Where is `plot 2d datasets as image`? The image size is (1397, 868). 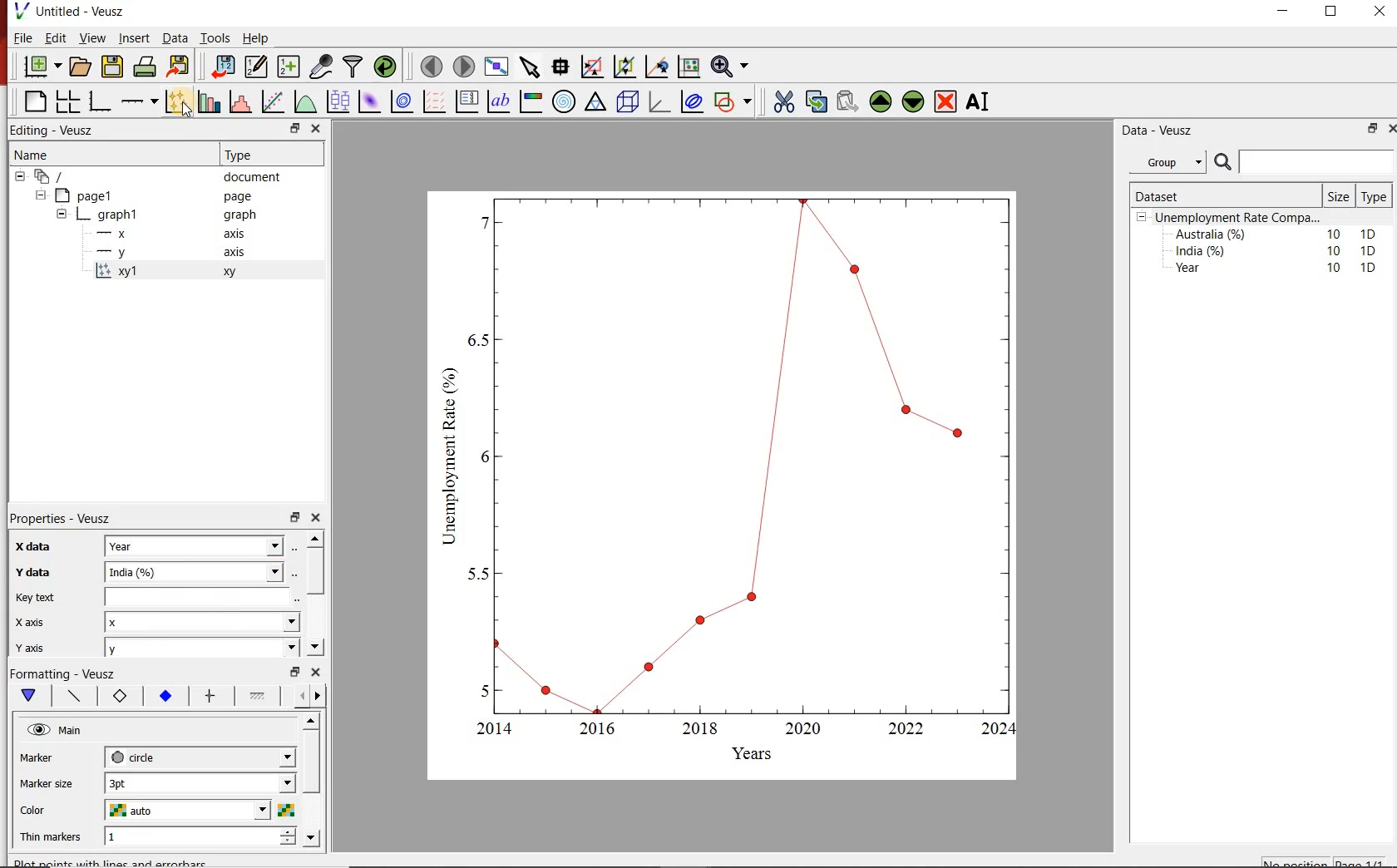 plot 2d datasets as image is located at coordinates (369, 101).